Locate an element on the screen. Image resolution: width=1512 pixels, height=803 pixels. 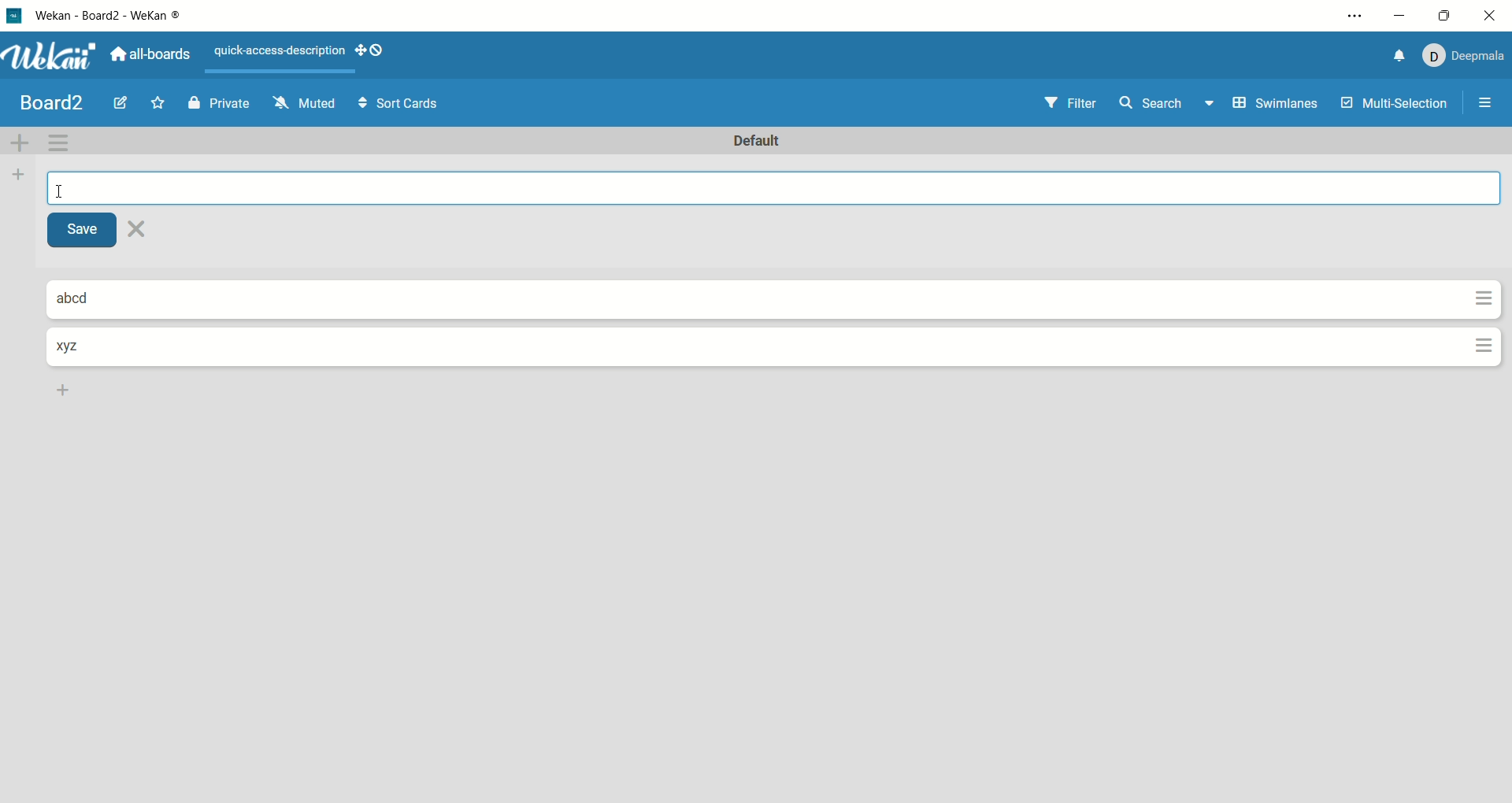
multi-selection is located at coordinates (1395, 105).